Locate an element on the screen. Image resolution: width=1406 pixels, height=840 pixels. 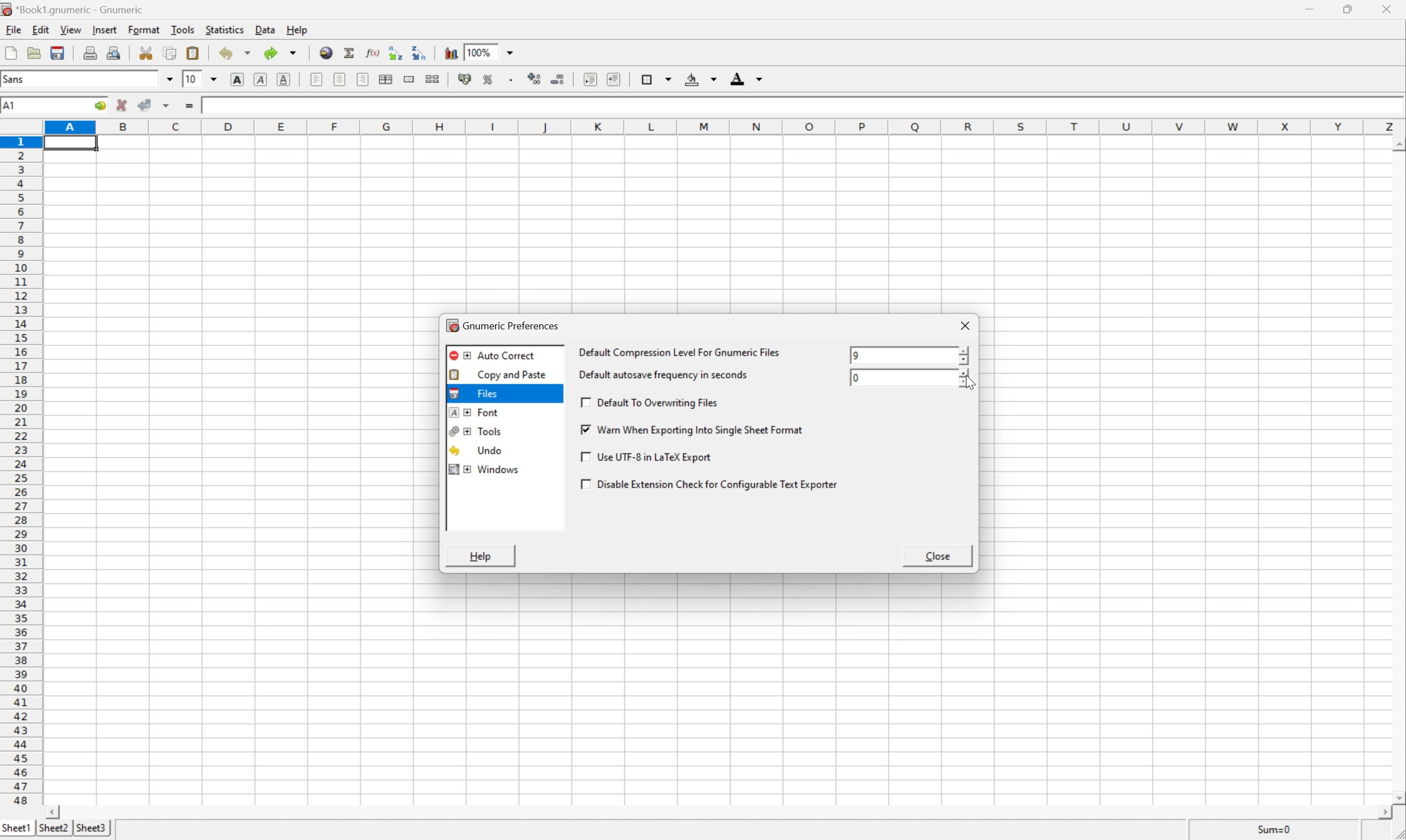
align left is located at coordinates (317, 79).